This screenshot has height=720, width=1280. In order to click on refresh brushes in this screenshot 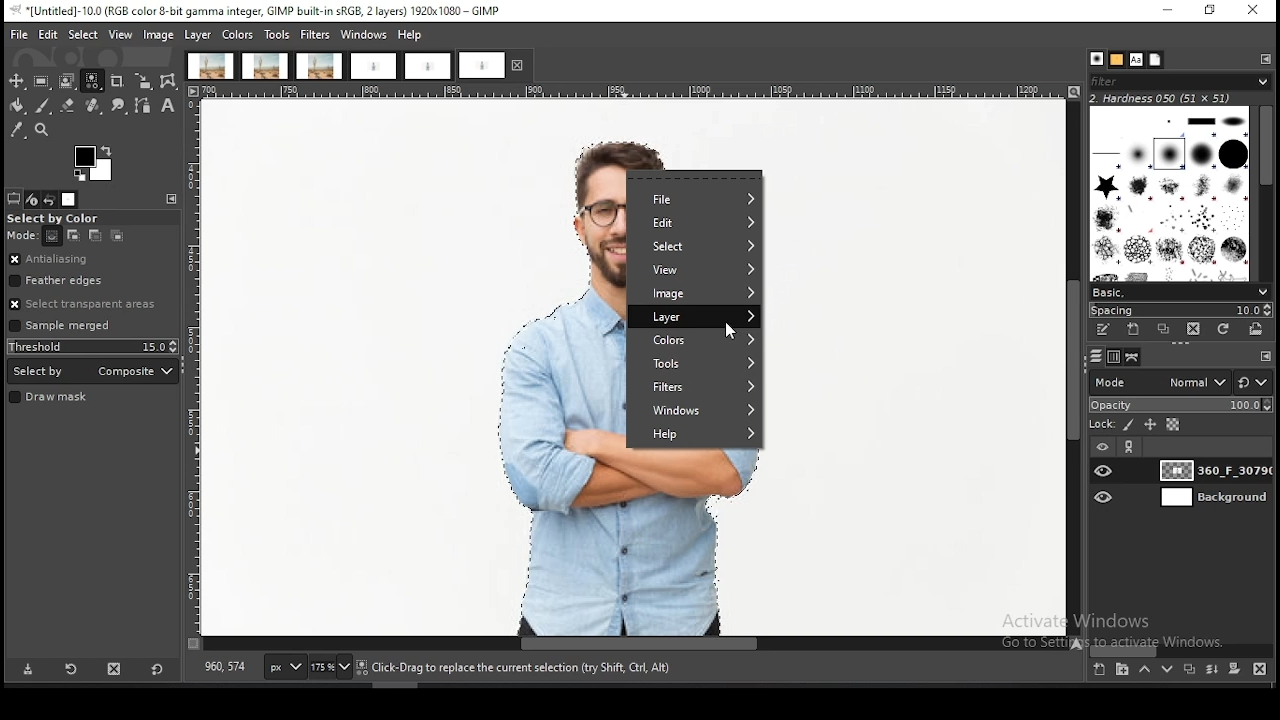, I will do `click(1221, 330)`.